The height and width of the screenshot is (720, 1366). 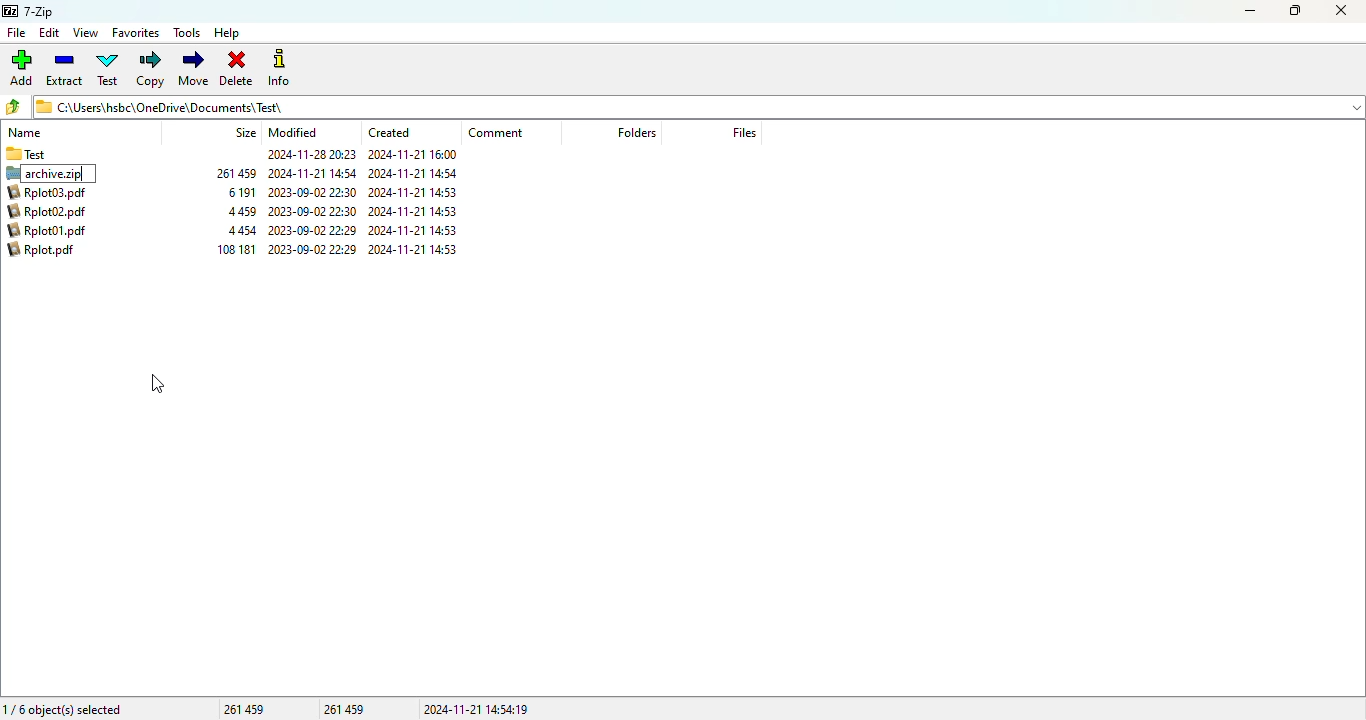 What do you see at coordinates (22, 68) in the screenshot?
I see `add` at bounding box center [22, 68].